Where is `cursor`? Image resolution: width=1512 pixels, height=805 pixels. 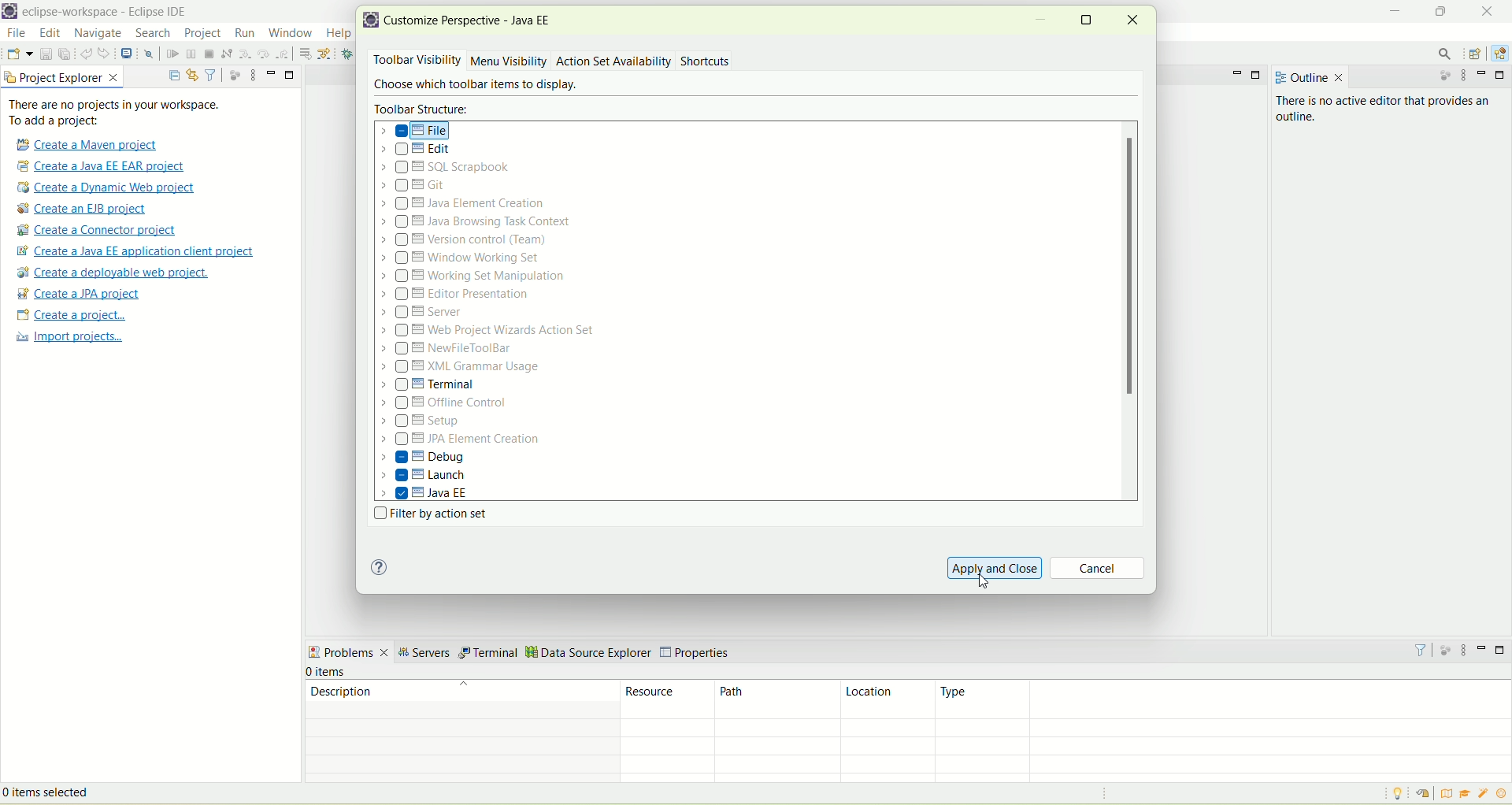
cursor is located at coordinates (989, 584).